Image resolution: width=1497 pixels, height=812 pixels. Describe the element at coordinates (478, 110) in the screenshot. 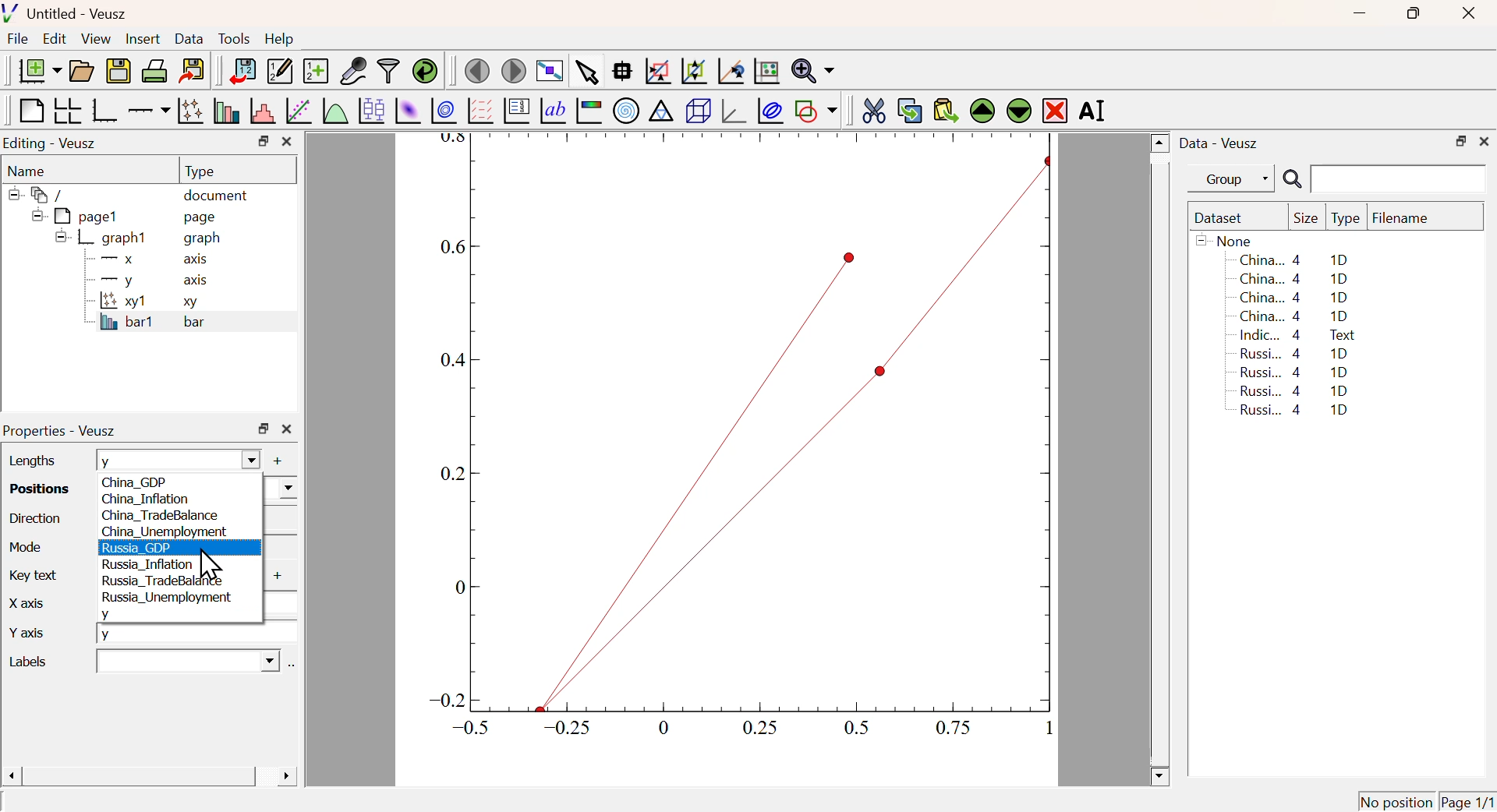

I see `Plot Vector Field` at that location.